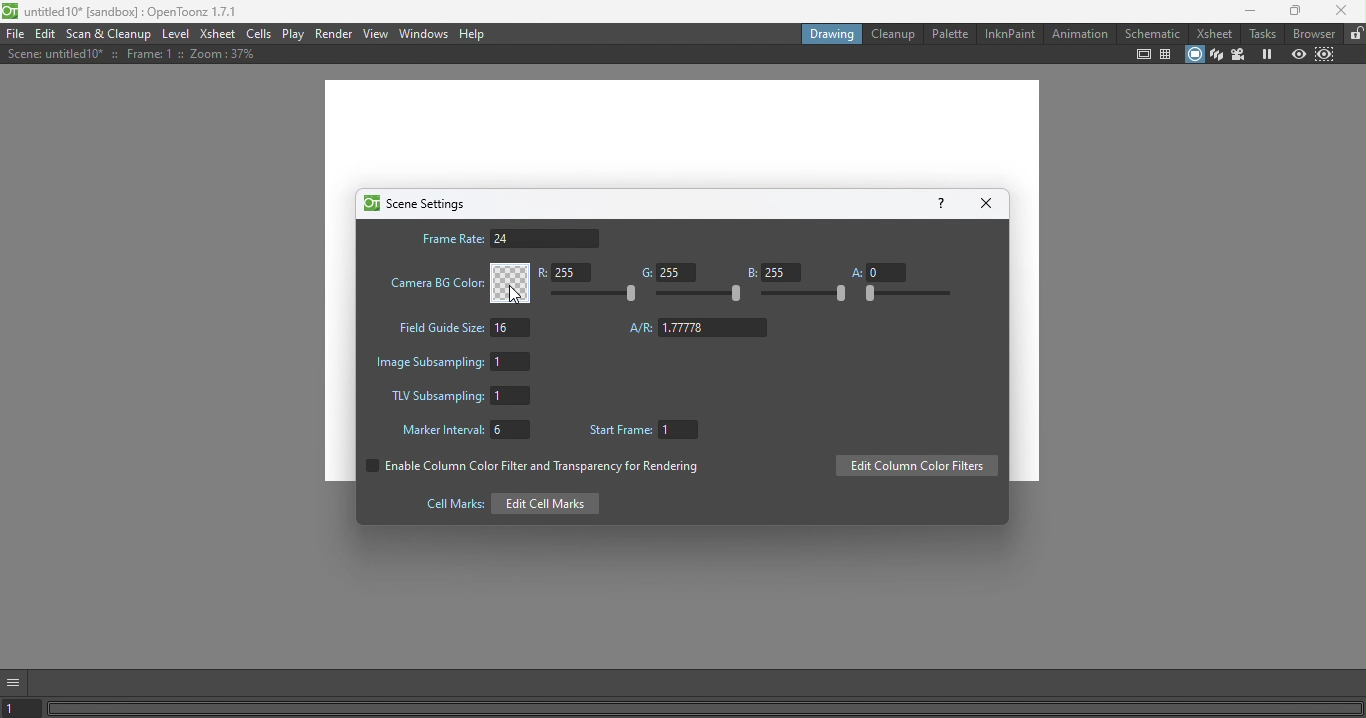 The image size is (1366, 718). I want to click on Windows, so click(422, 34).